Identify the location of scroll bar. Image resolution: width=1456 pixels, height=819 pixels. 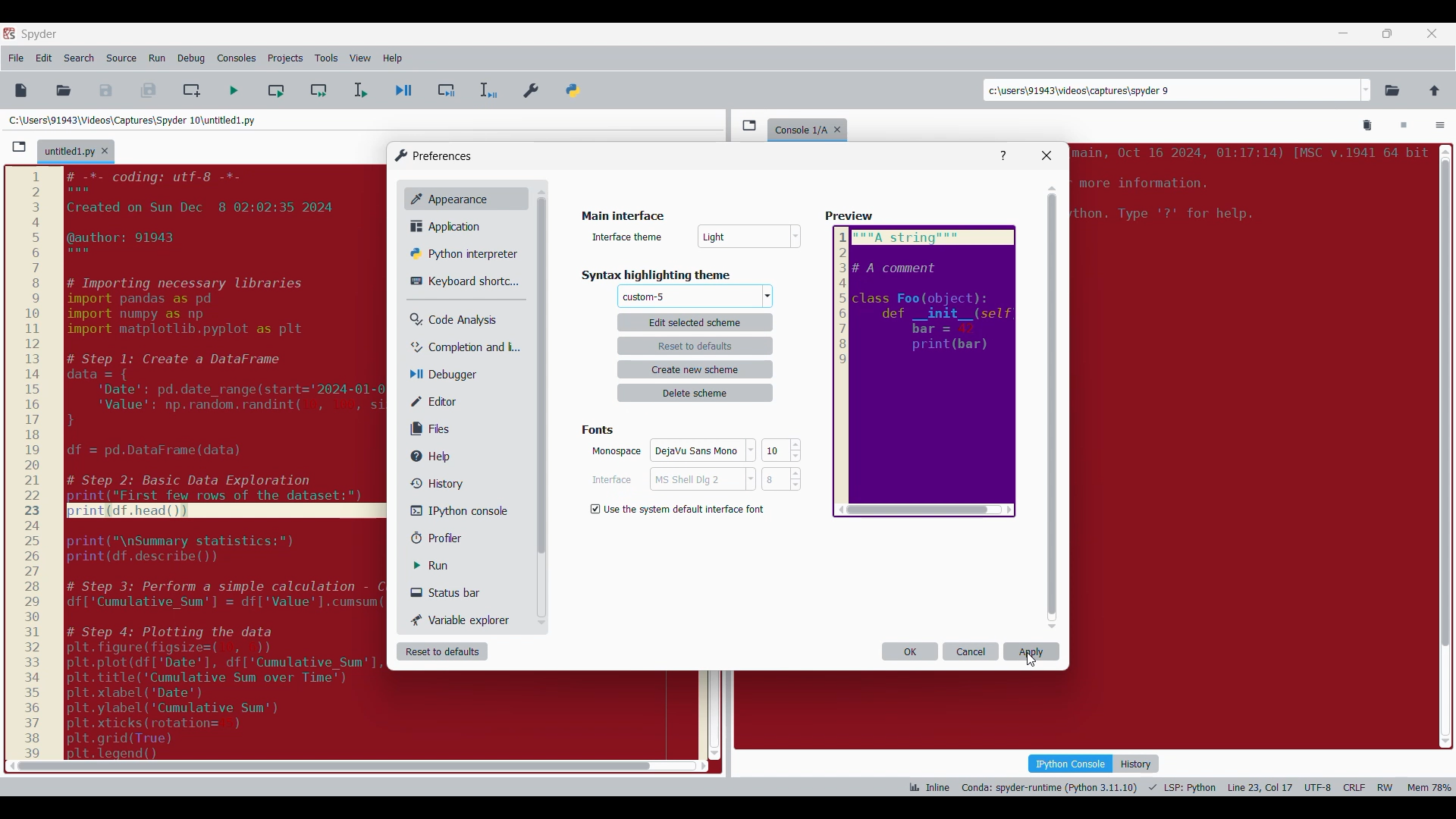
(1443, 442).